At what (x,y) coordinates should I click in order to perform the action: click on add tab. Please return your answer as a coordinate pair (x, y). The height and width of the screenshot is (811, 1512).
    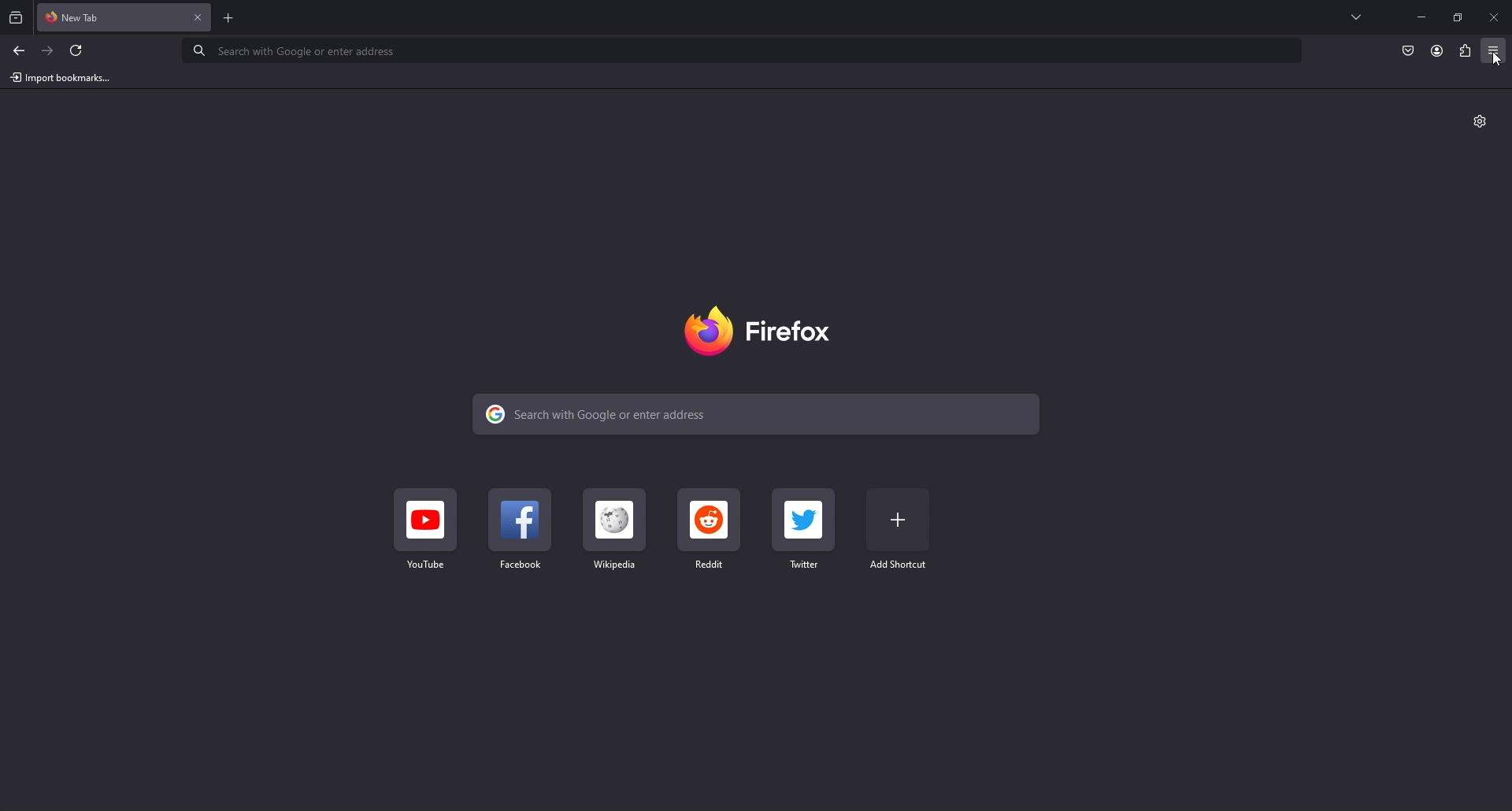
    Looking at the image, I should click on (228, 18).